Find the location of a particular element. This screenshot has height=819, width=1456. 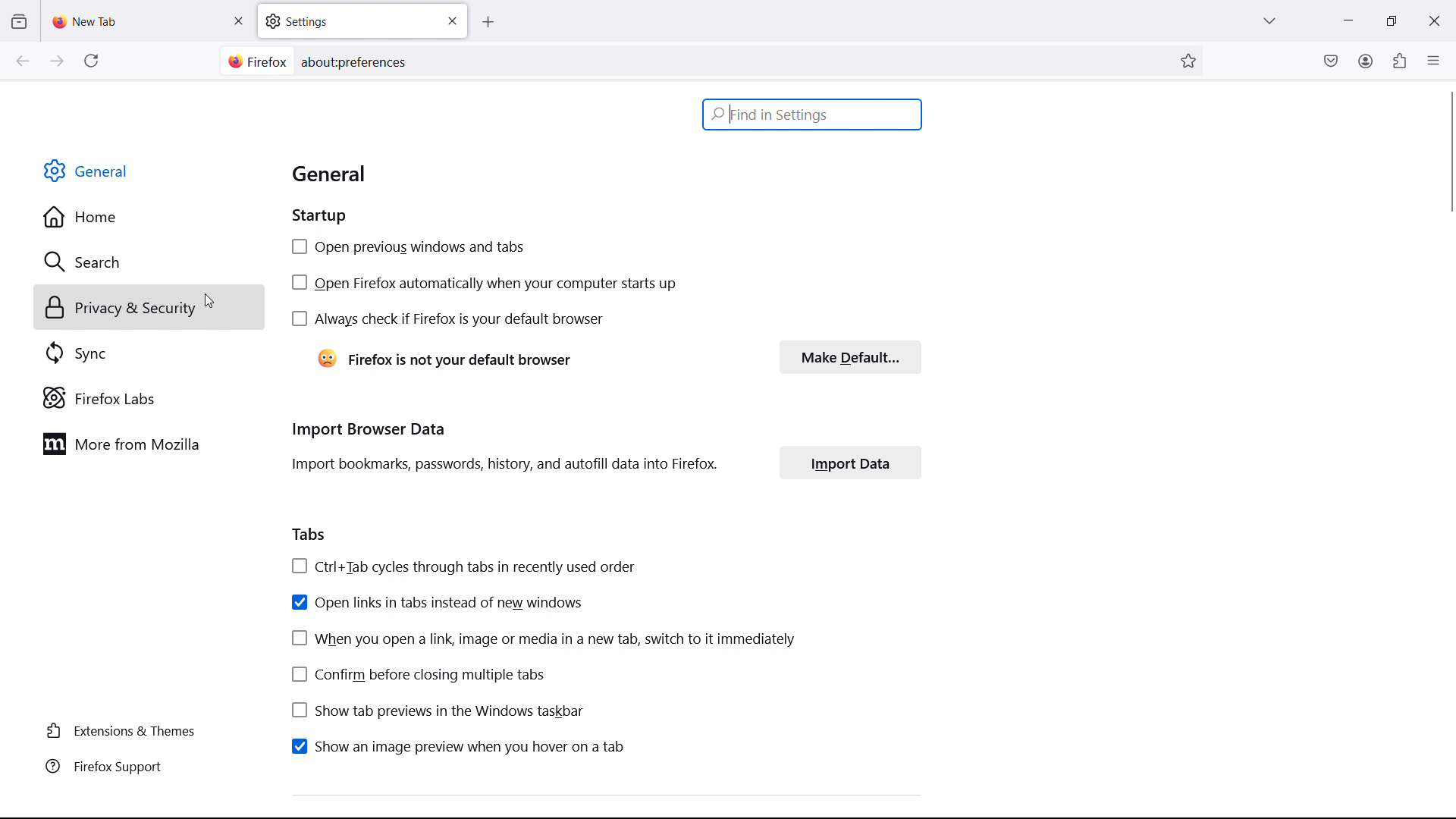

extensions & themes is located at coordinates (124, 731).